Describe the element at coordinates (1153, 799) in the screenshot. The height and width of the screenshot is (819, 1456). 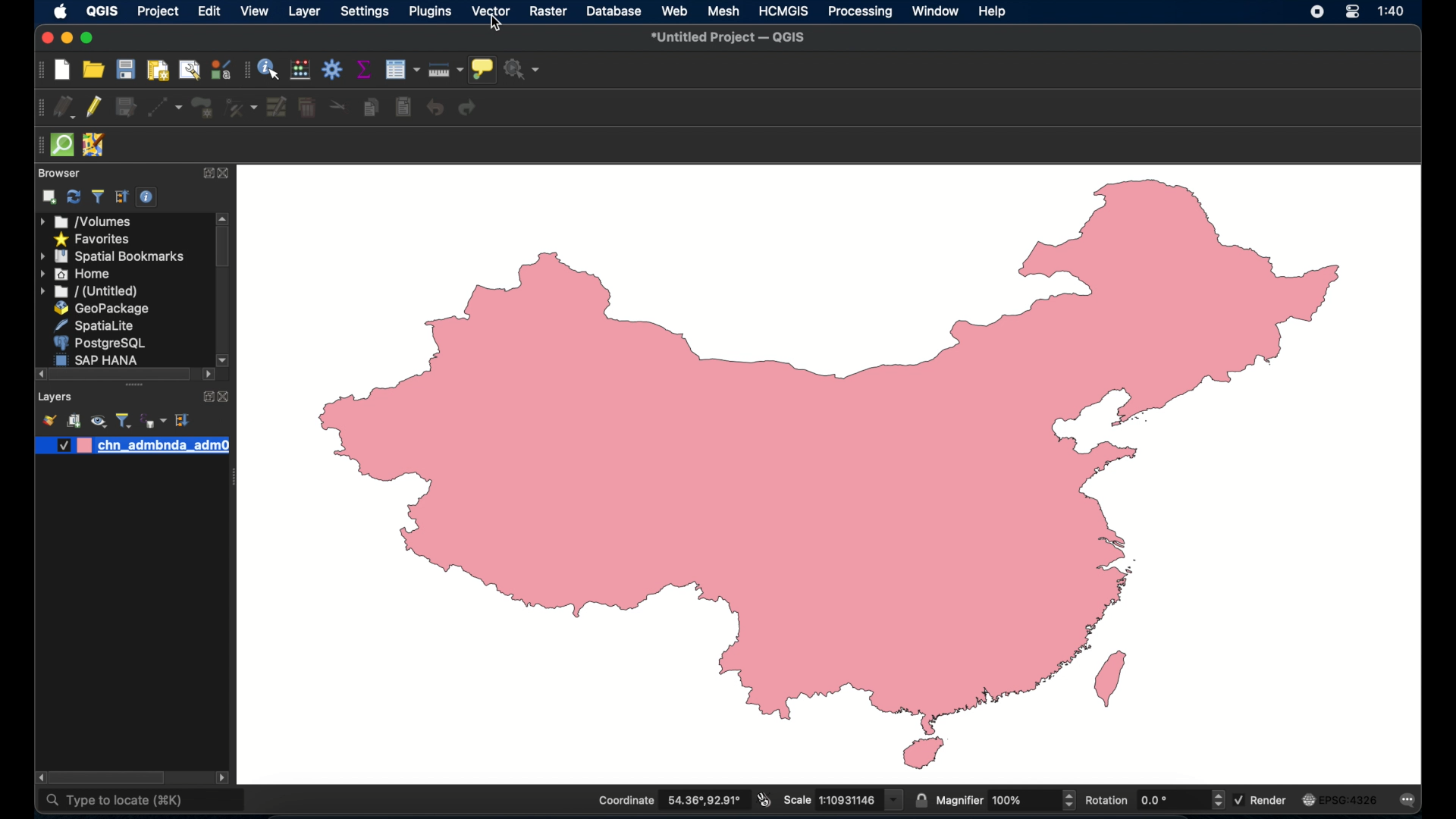
I see `rotation` at that location.